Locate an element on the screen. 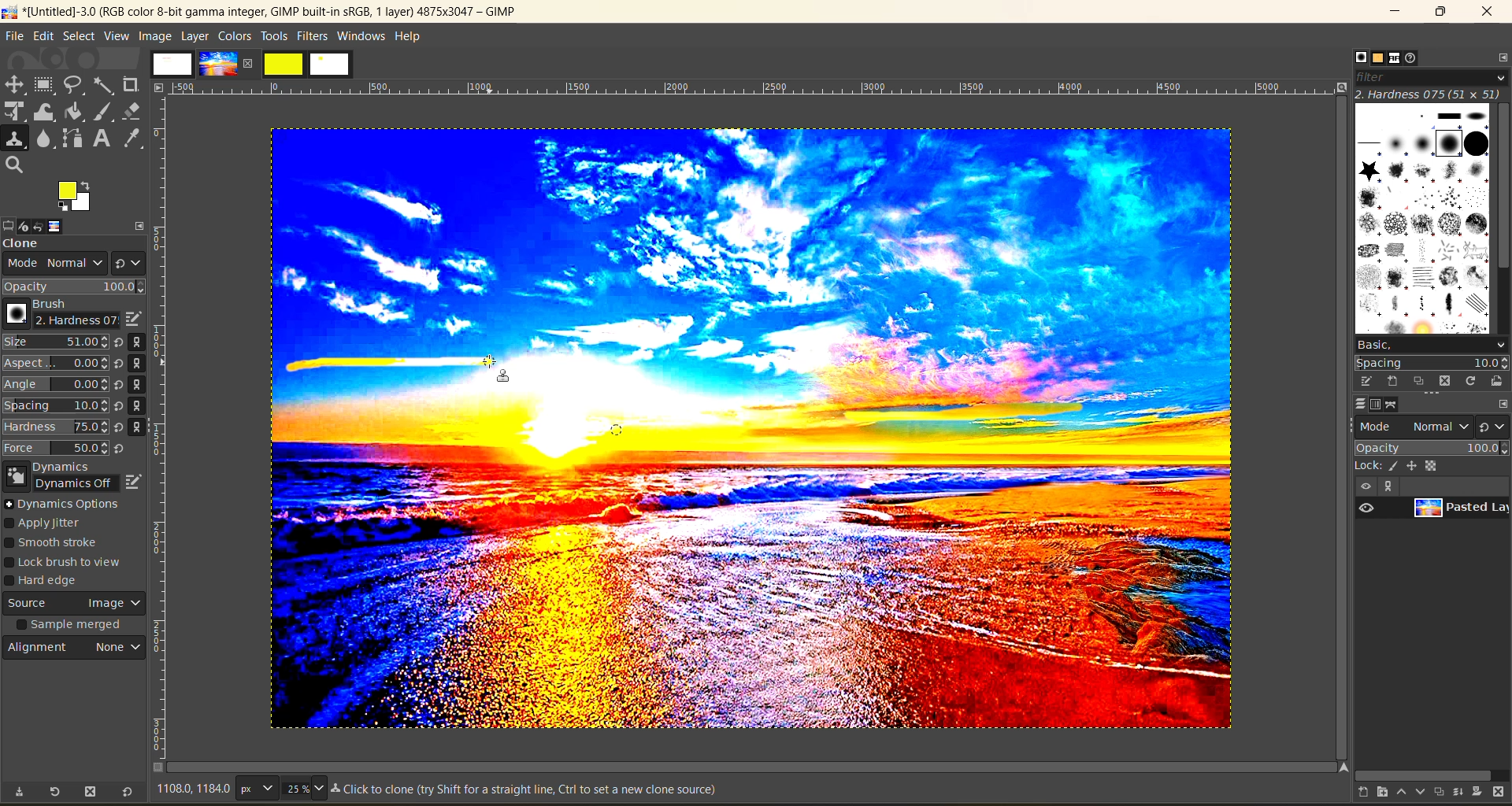 This screenshot has height=806, width=1512. clone tool is located at coordinates (15, 139).